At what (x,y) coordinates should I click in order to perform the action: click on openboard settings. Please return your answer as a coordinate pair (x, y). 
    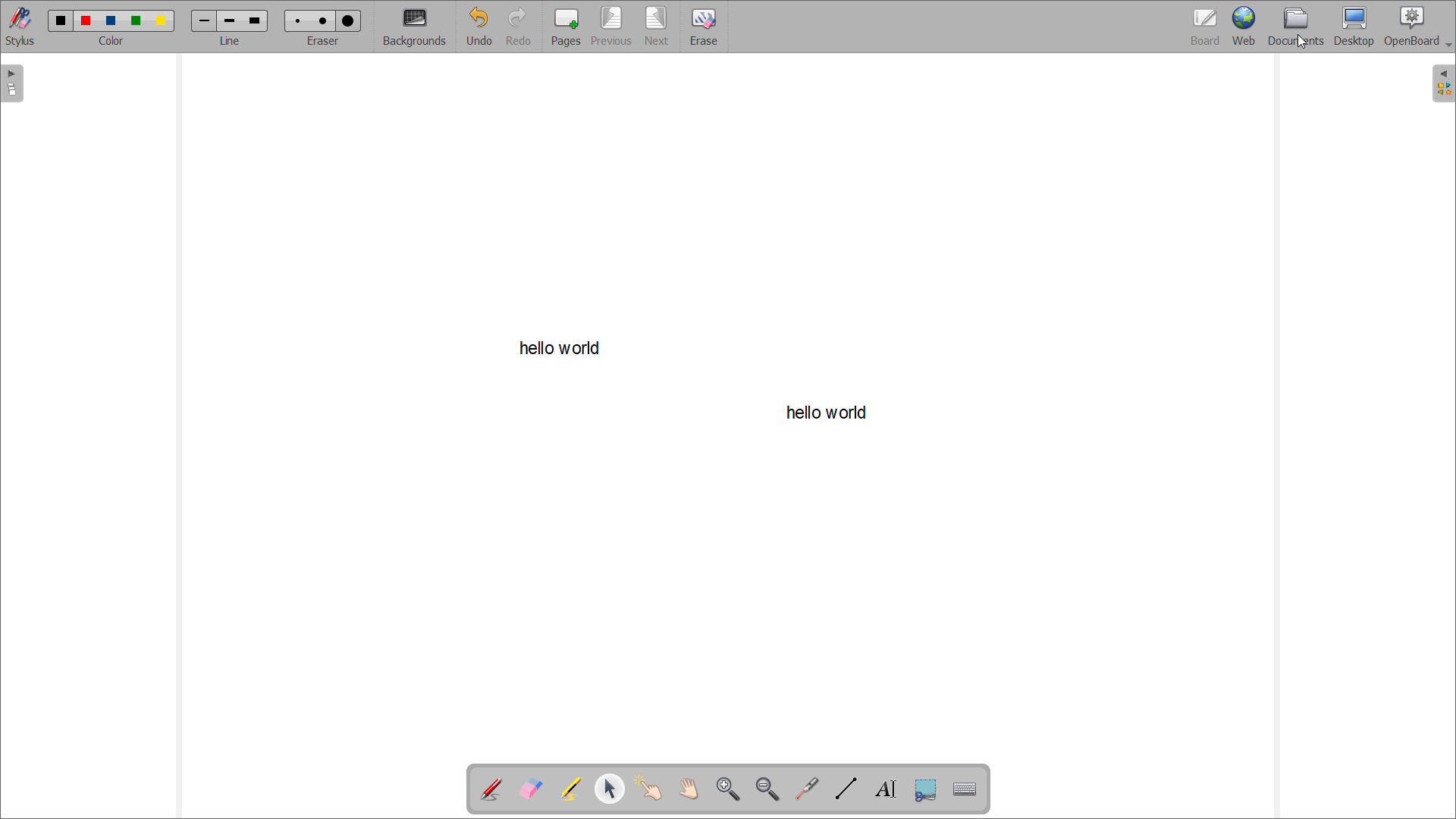
    Looking at the image, I should click on (1418, 27).